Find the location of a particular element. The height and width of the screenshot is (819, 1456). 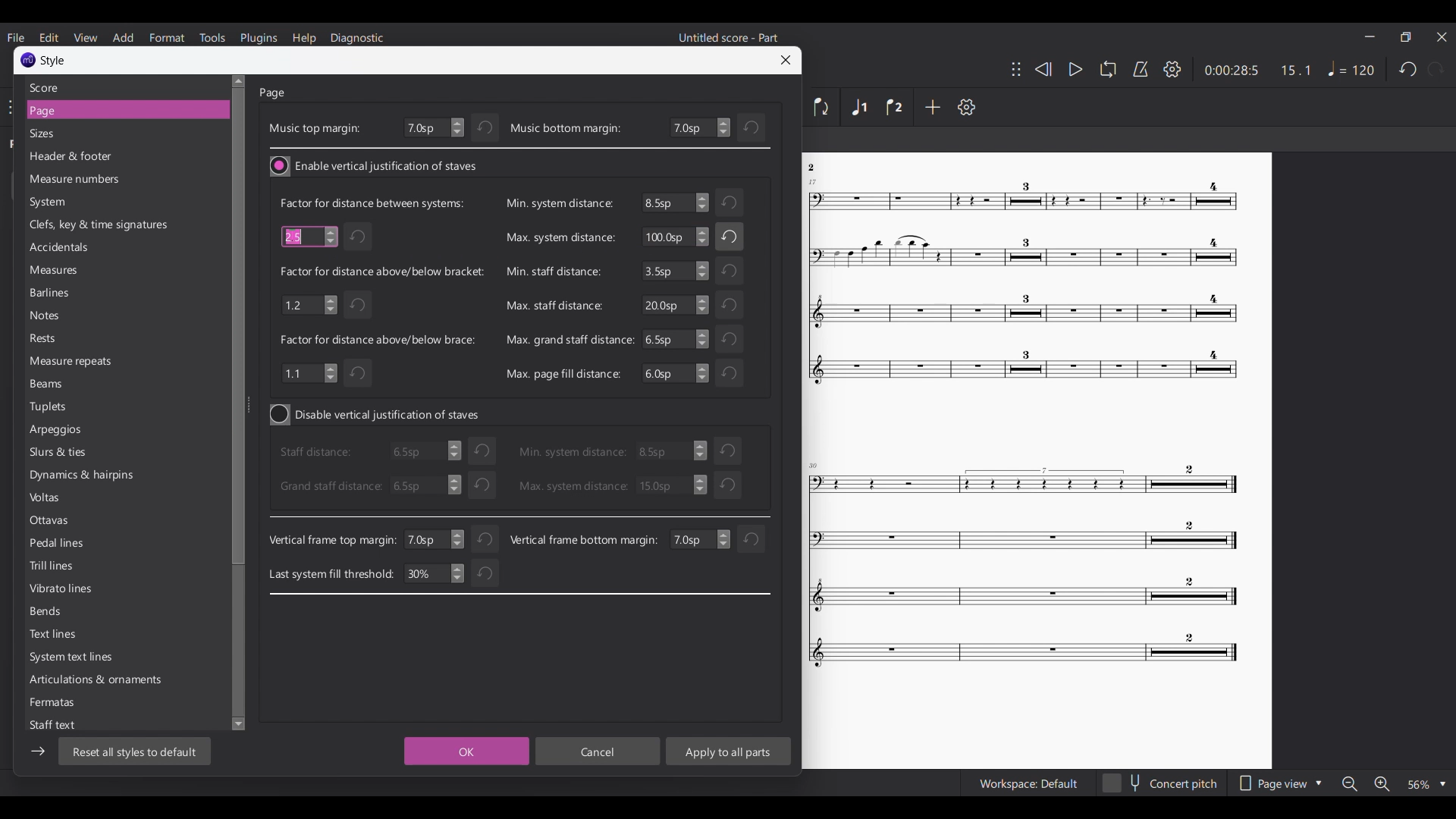

Bends is located at coordinates (80, 613).